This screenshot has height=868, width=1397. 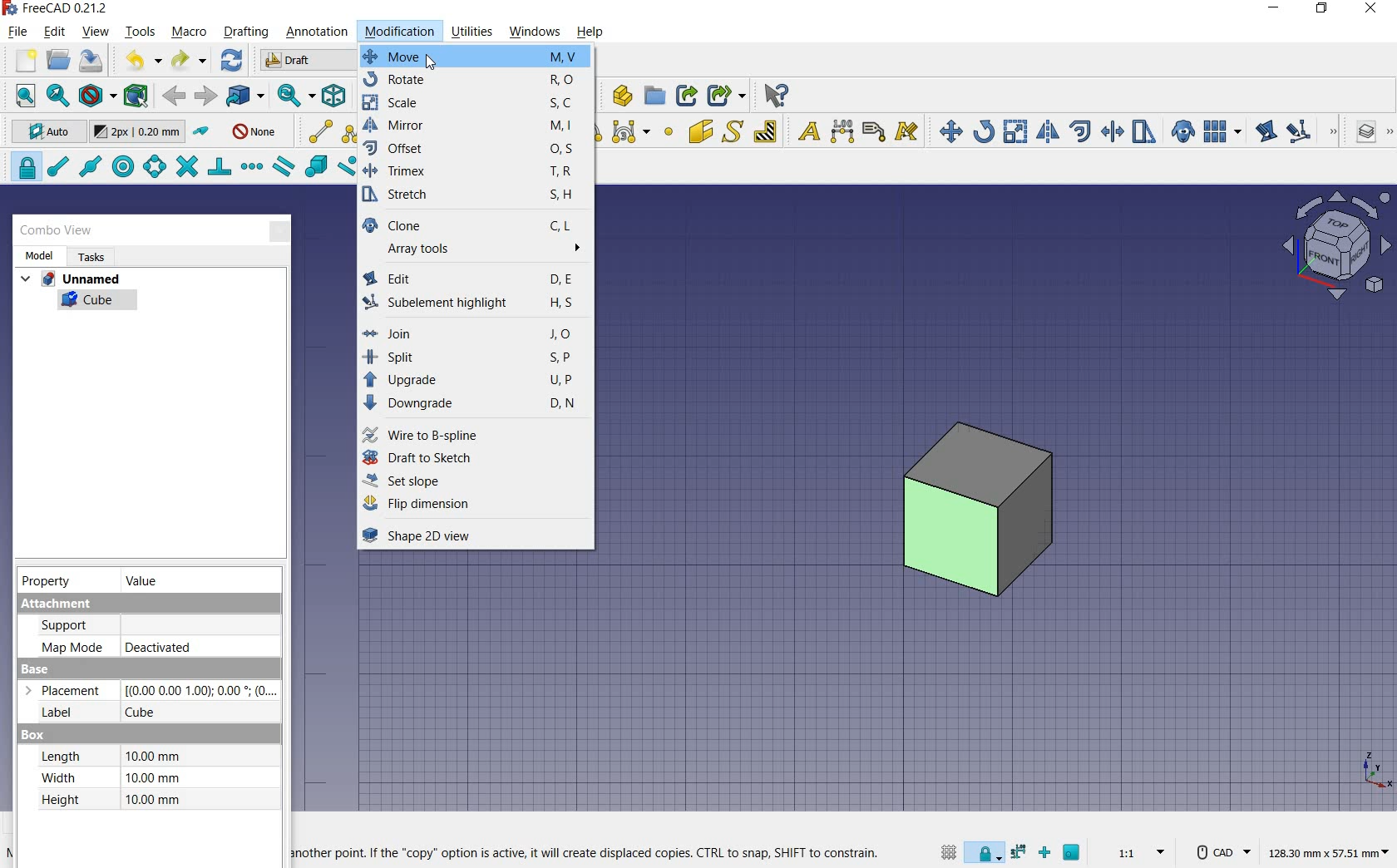 I want to click on offset, so click(x=475, y=150).